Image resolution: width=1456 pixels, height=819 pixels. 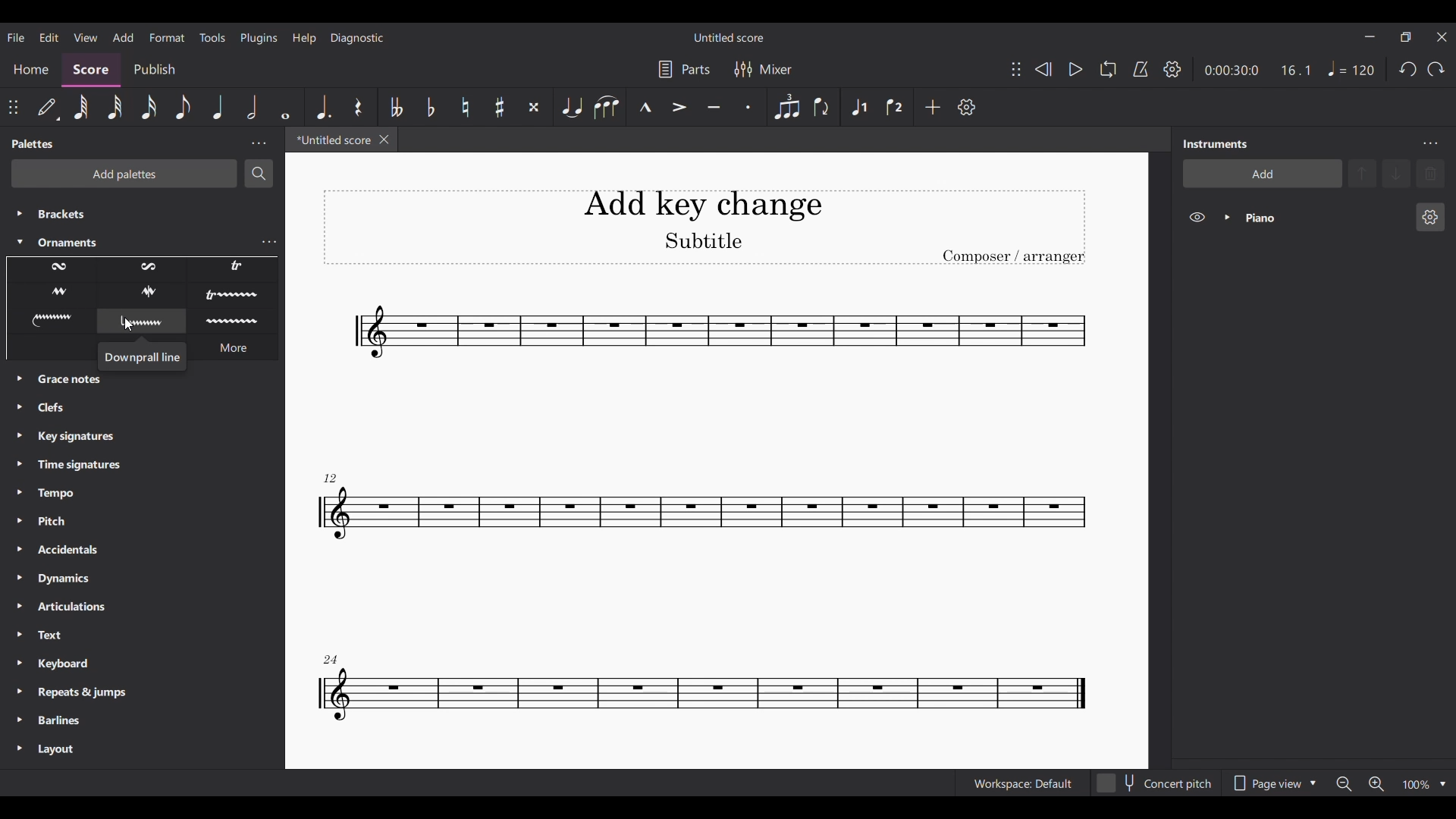 I want to click on Home section, so click(x=31, y=70).